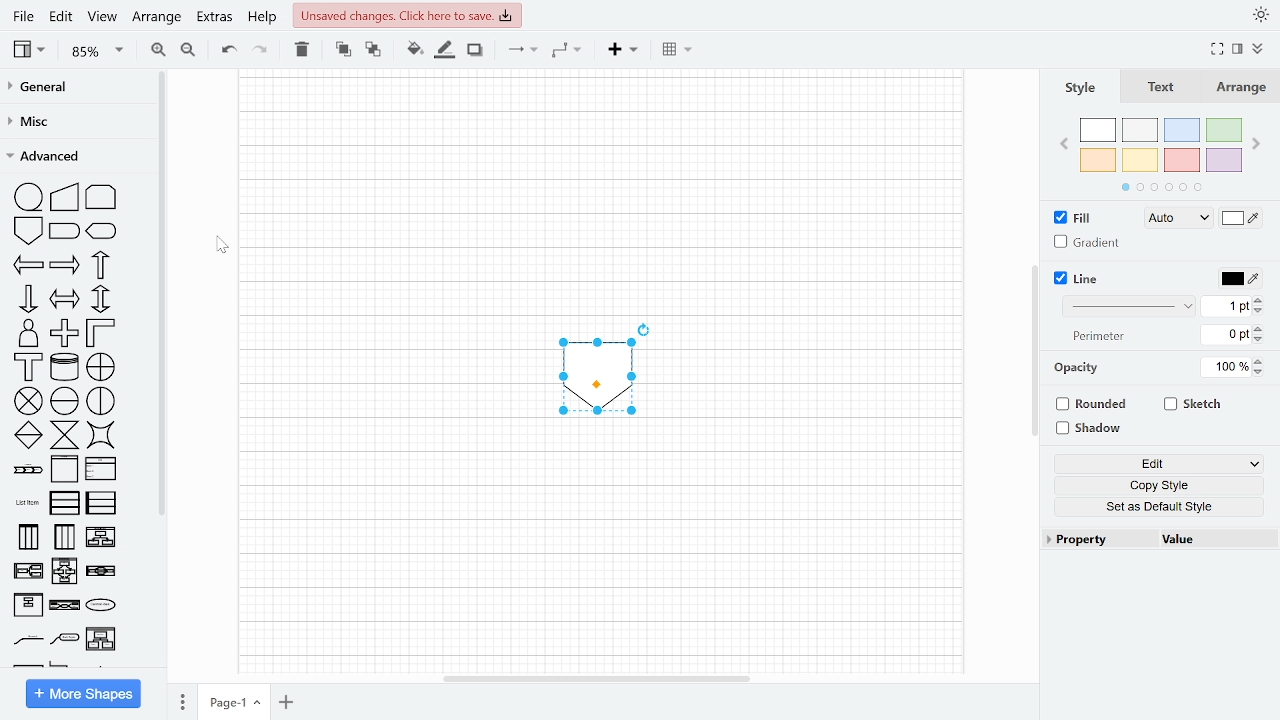 Image resolution: width=1280 pixels, height=720 pixels. I want to click on arrow right, so click(65, 267).